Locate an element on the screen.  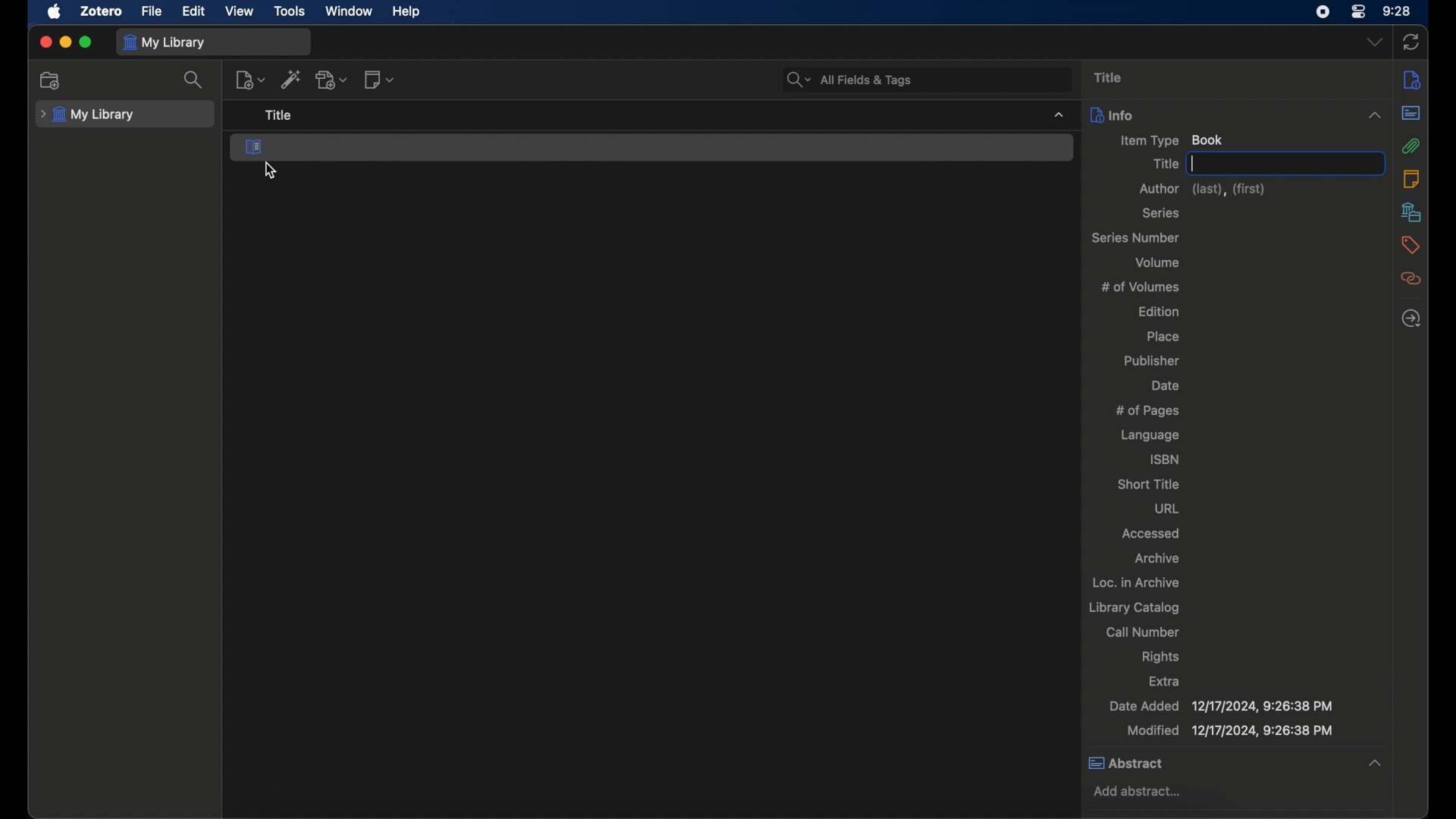
accessed is located at coordinates (1152, 532).